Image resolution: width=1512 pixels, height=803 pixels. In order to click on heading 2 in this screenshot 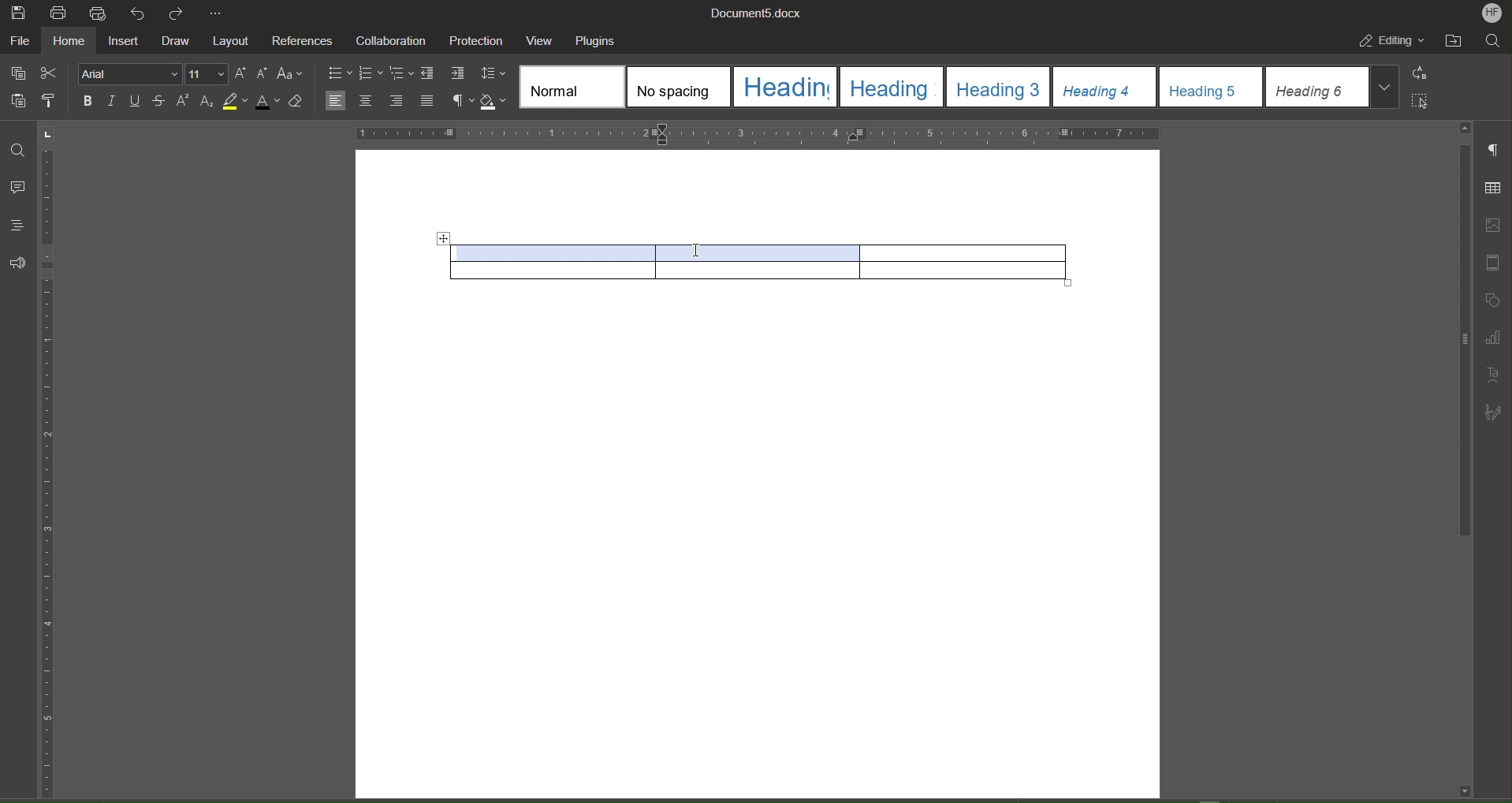, I will do `click(894, 88)`.